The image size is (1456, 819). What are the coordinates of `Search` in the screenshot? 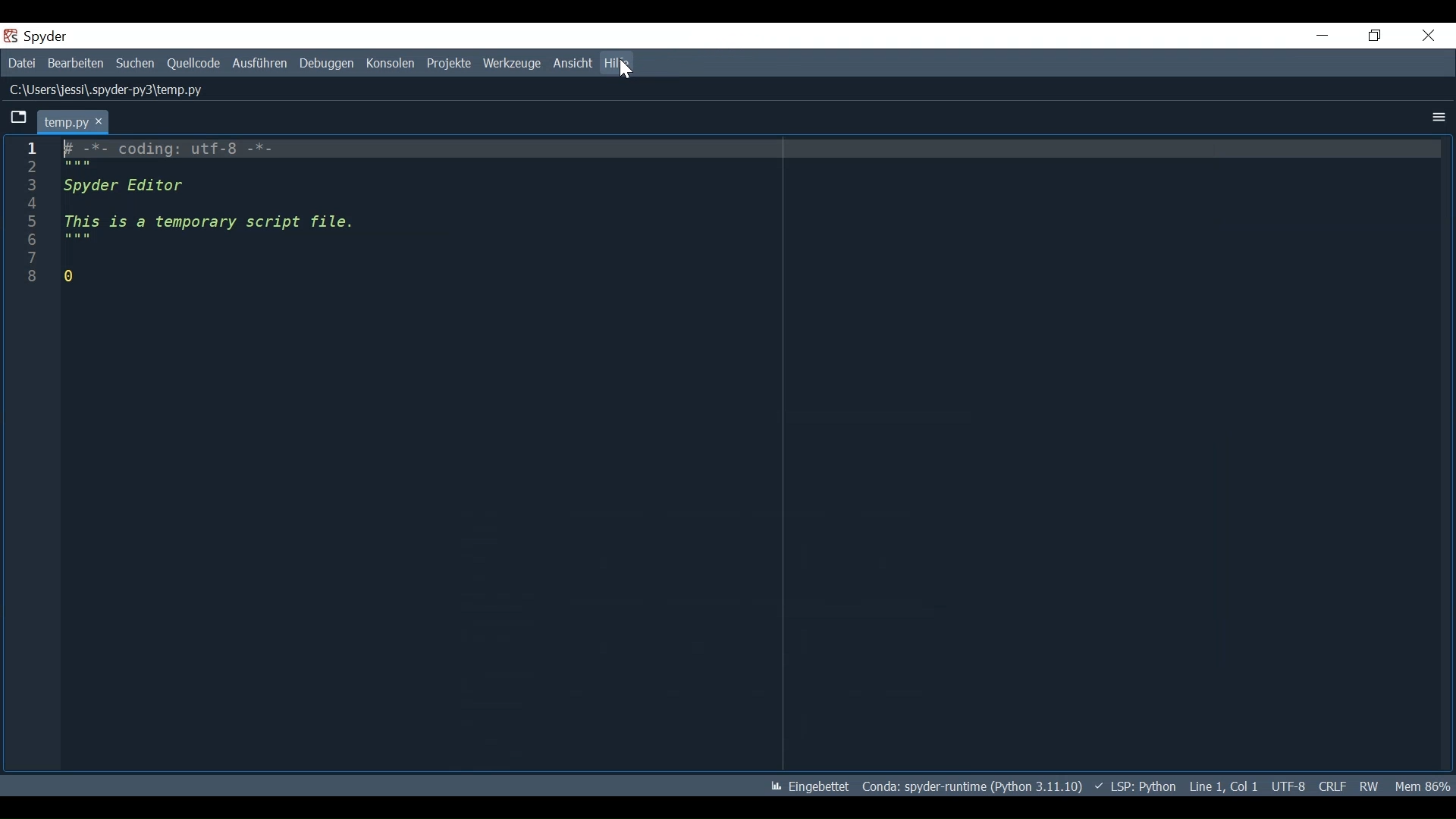 It's located at (135, 64).